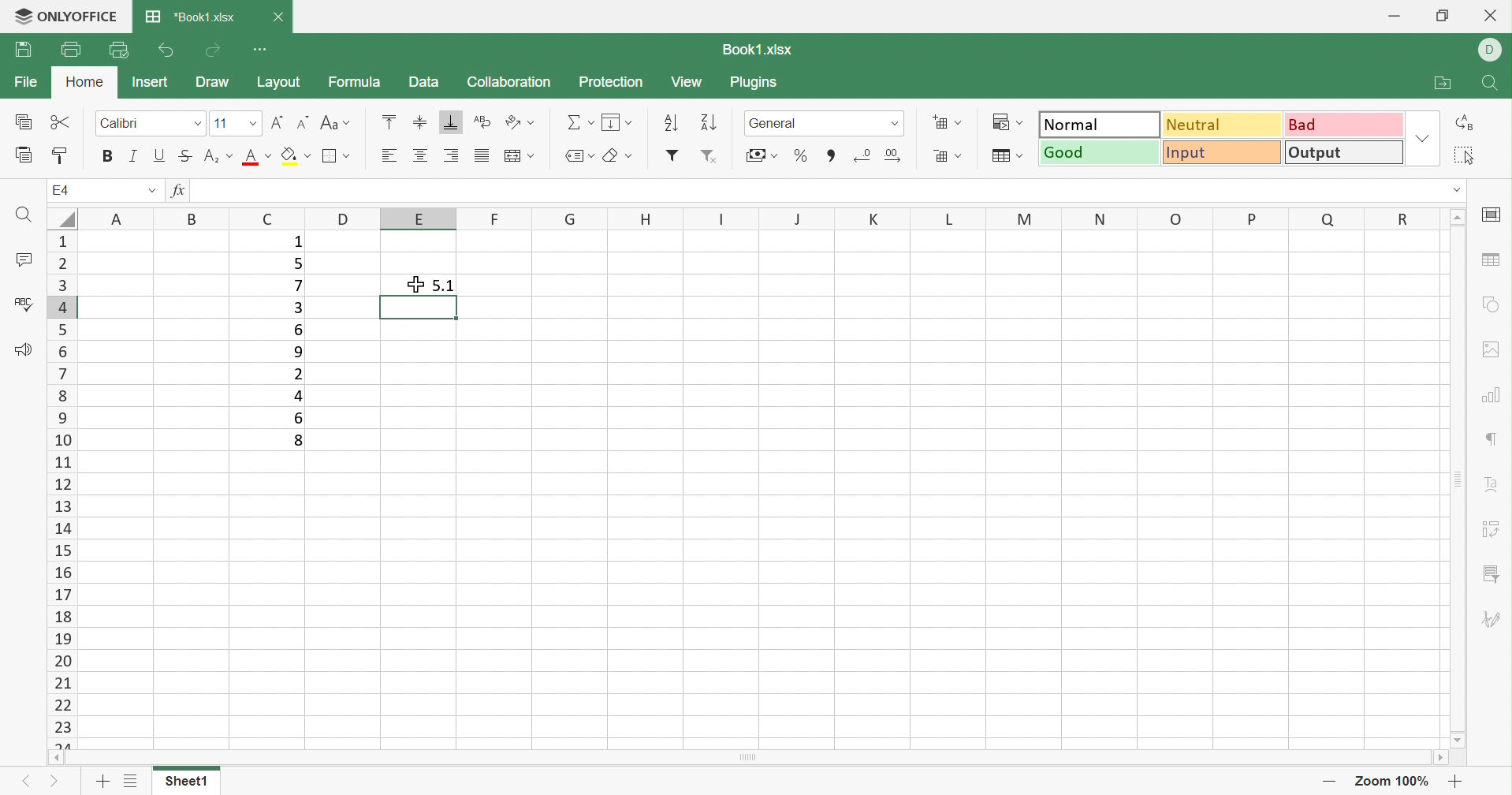 The height and width of the screenshot is (795, 1512). What do you see at coordinates (1495, 17) in the screenshot?
I see `Close` at bounding box center [1495, 17].